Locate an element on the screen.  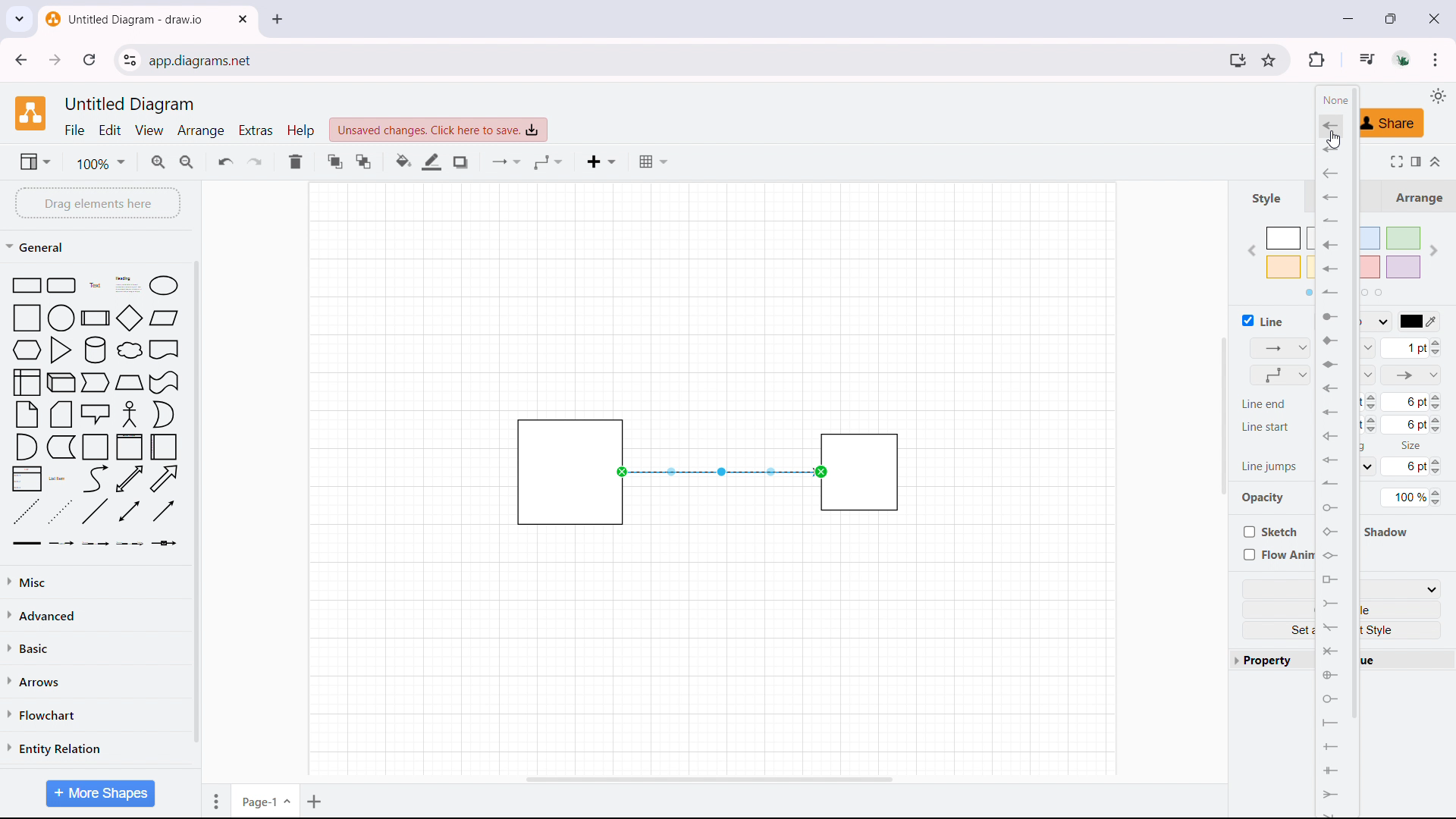
document title is located at coordinates (132, 105).